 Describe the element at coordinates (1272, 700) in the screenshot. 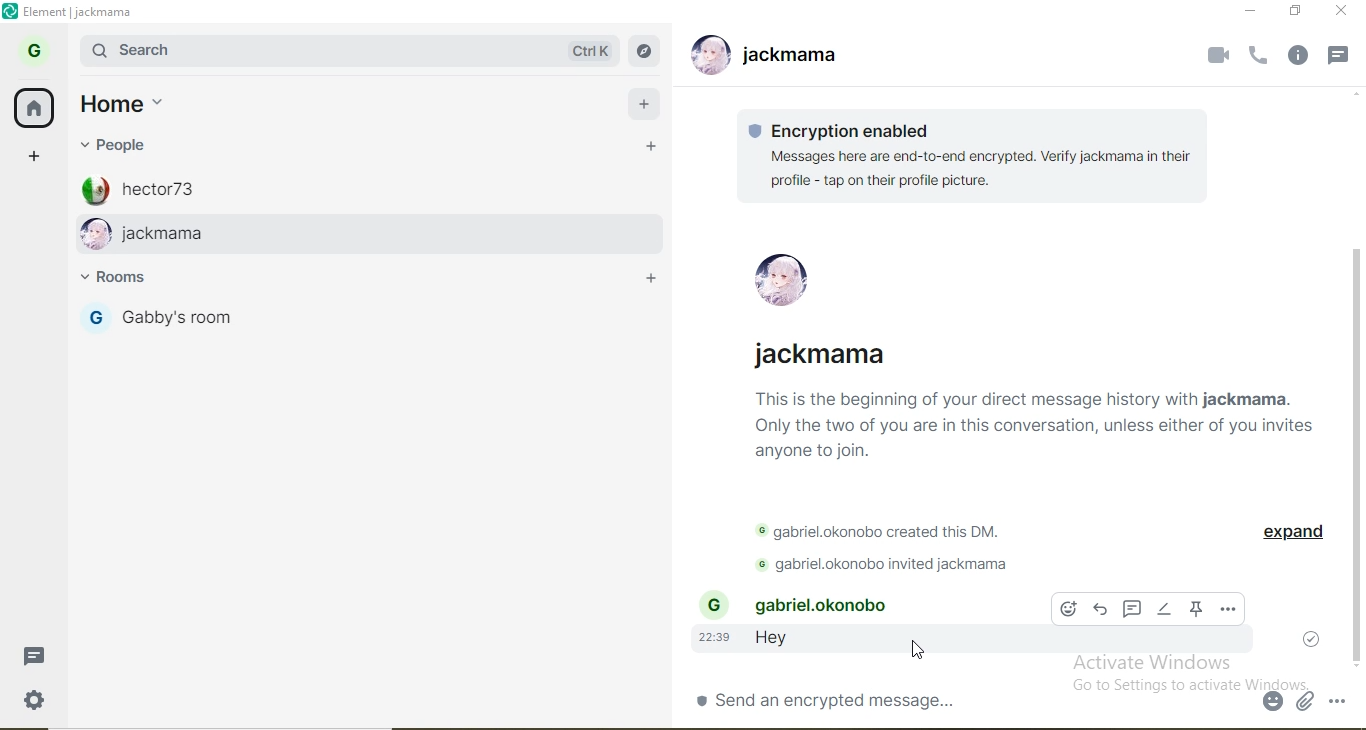

I see `emoji` at that location.